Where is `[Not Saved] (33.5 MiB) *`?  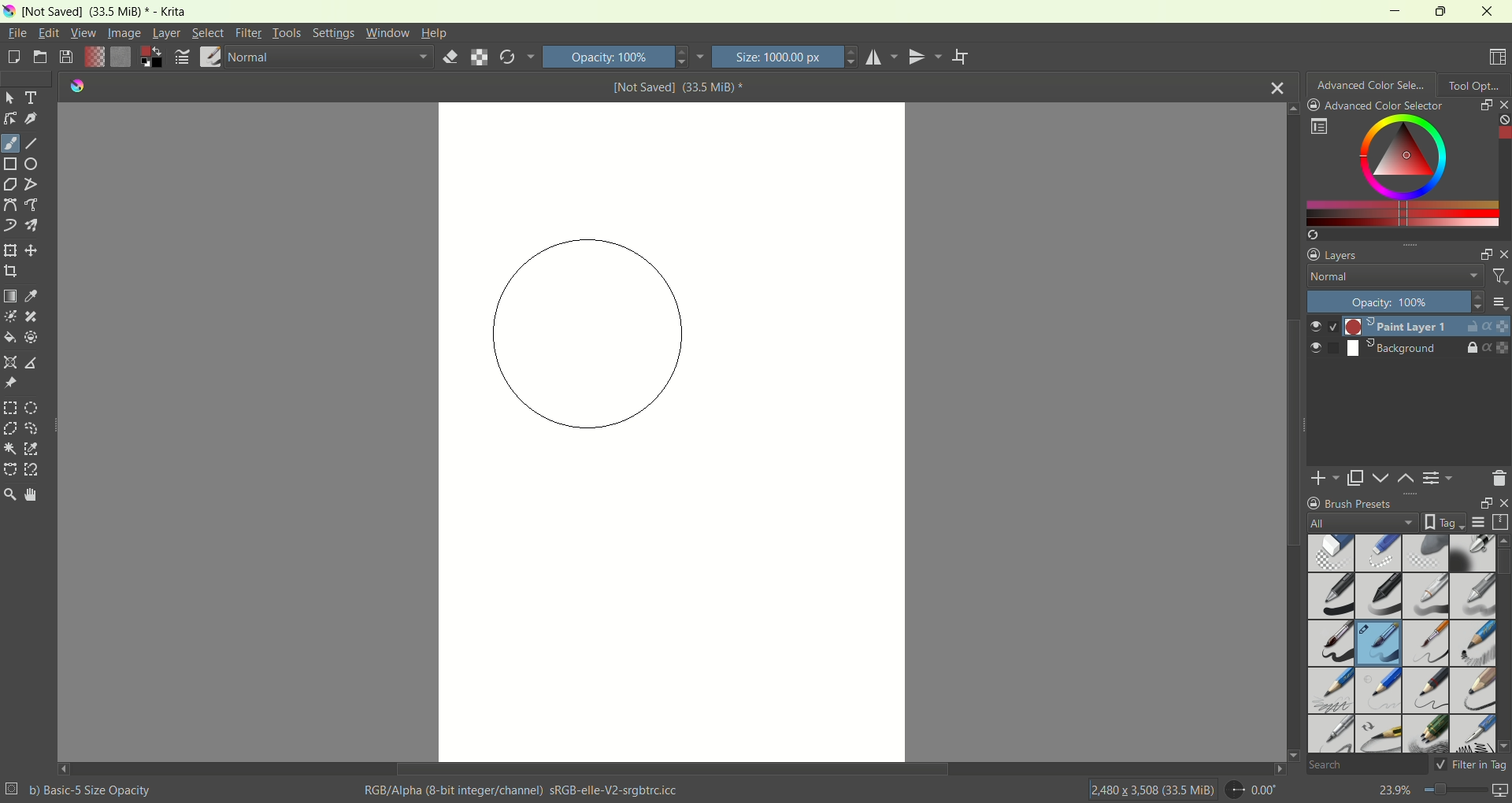
[Not Saved] (33.5 MiB) * is located at coordinates (679, 87).